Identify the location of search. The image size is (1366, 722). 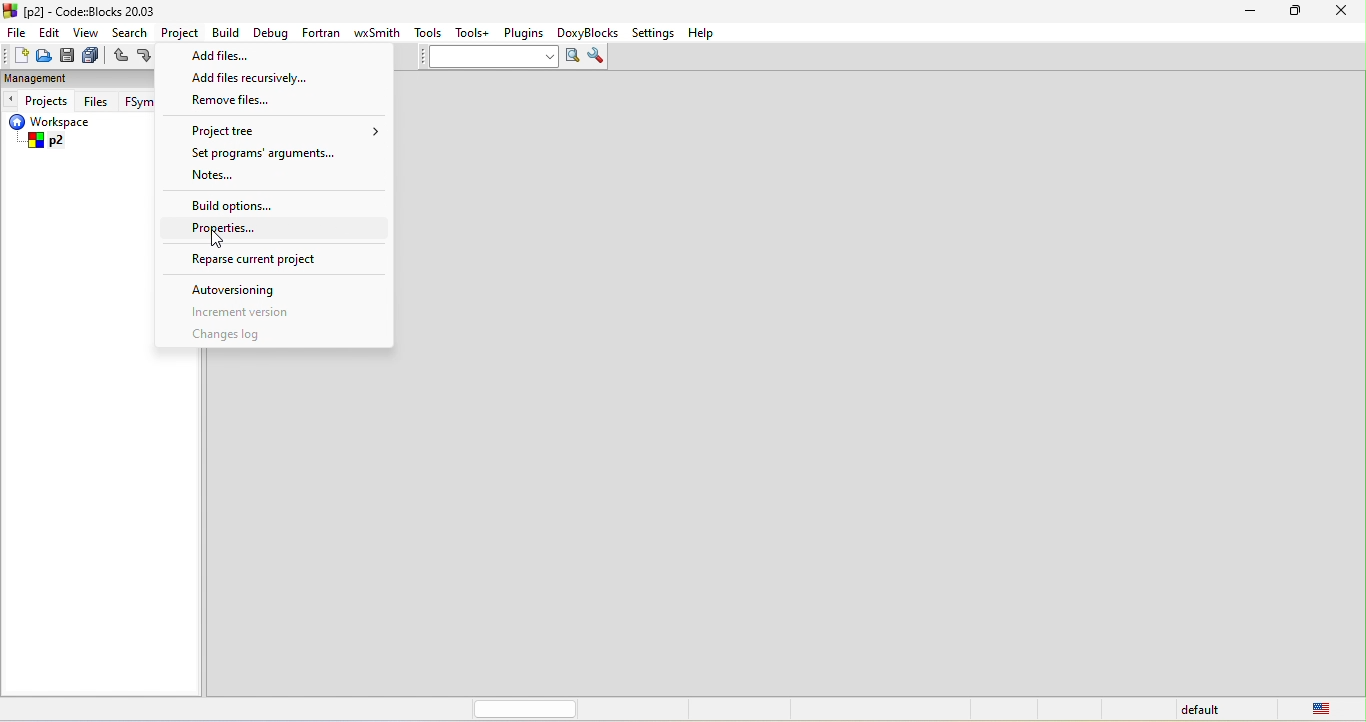
(130, 31).